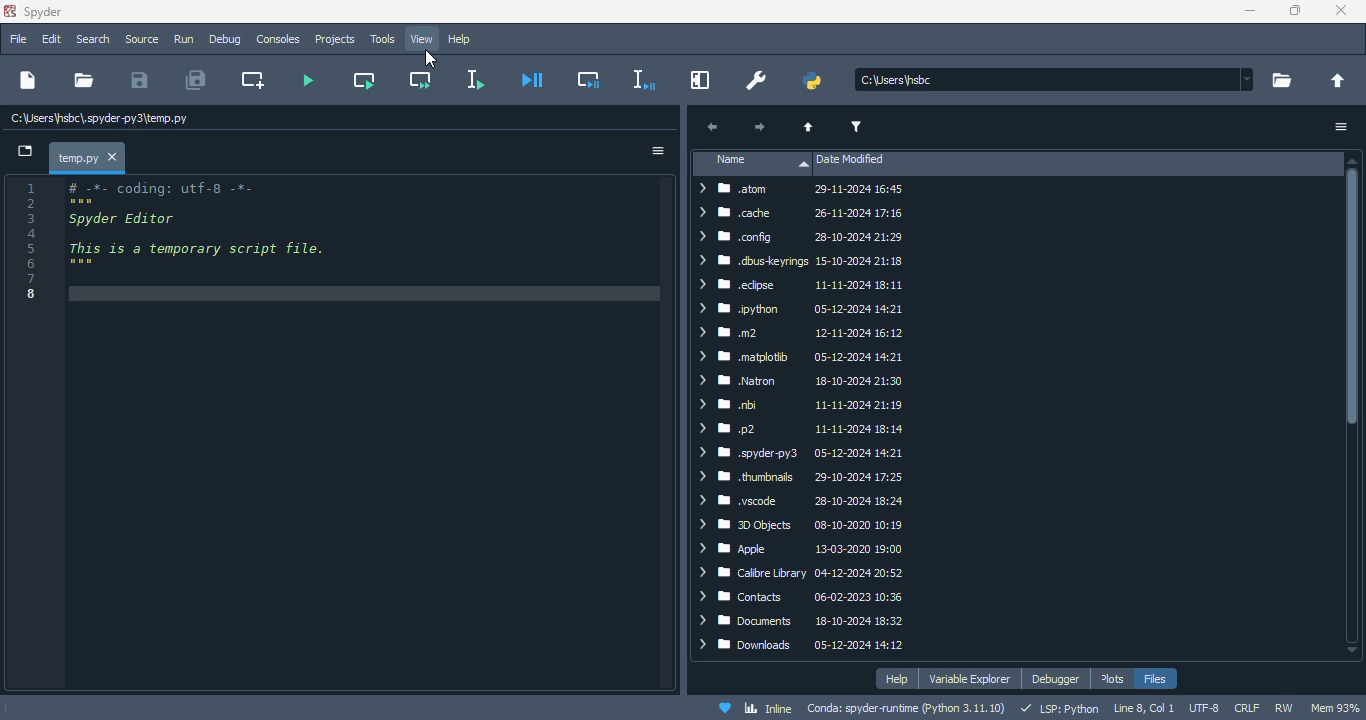 The width and height of the screenshot is (1366, 720). Describe the element at coordinates (1356, 407) in the screenshot. I see `vertical scroll bar` at that location.